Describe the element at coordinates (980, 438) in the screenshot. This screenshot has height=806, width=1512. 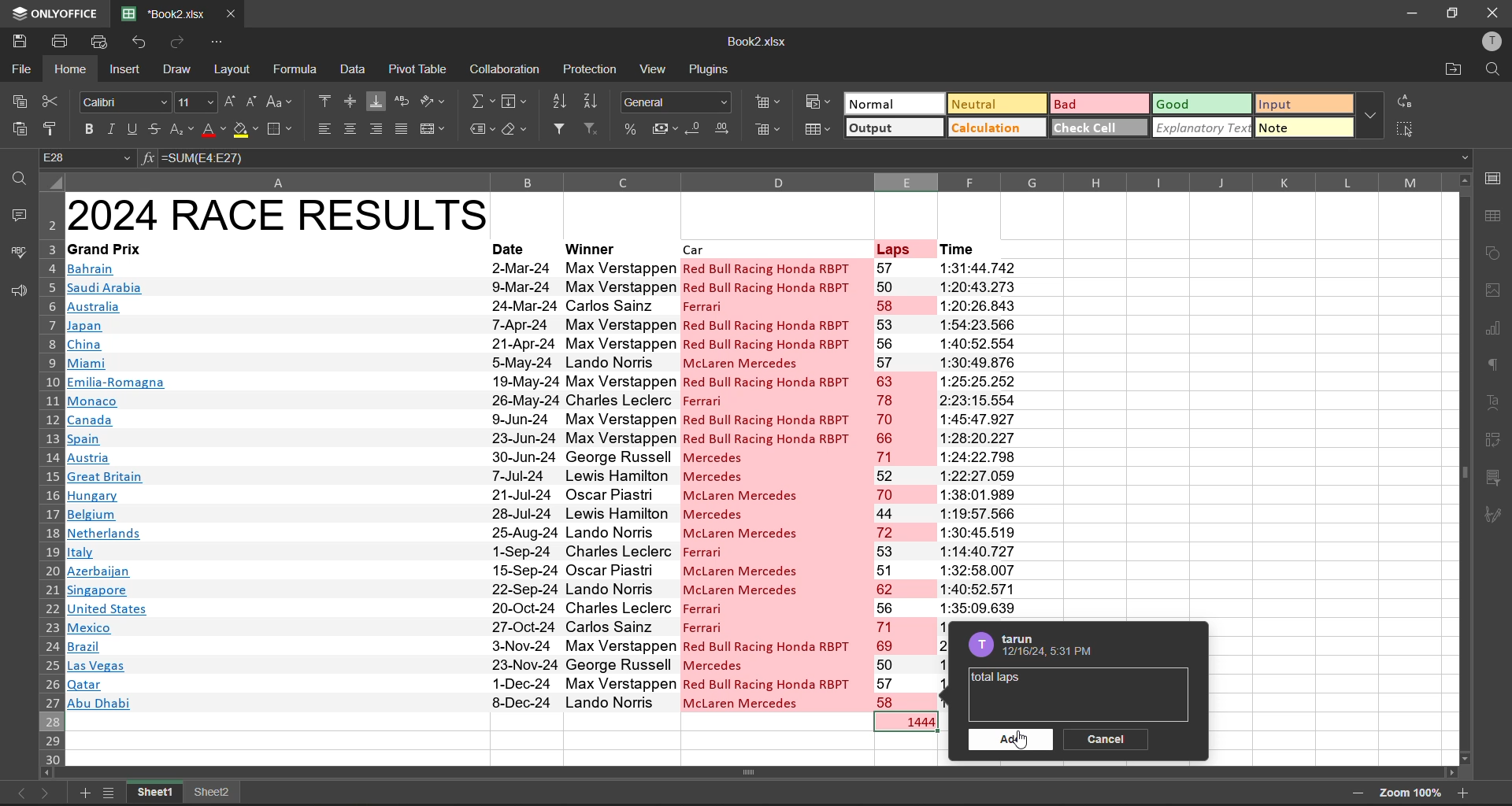
I see `time` at that location.